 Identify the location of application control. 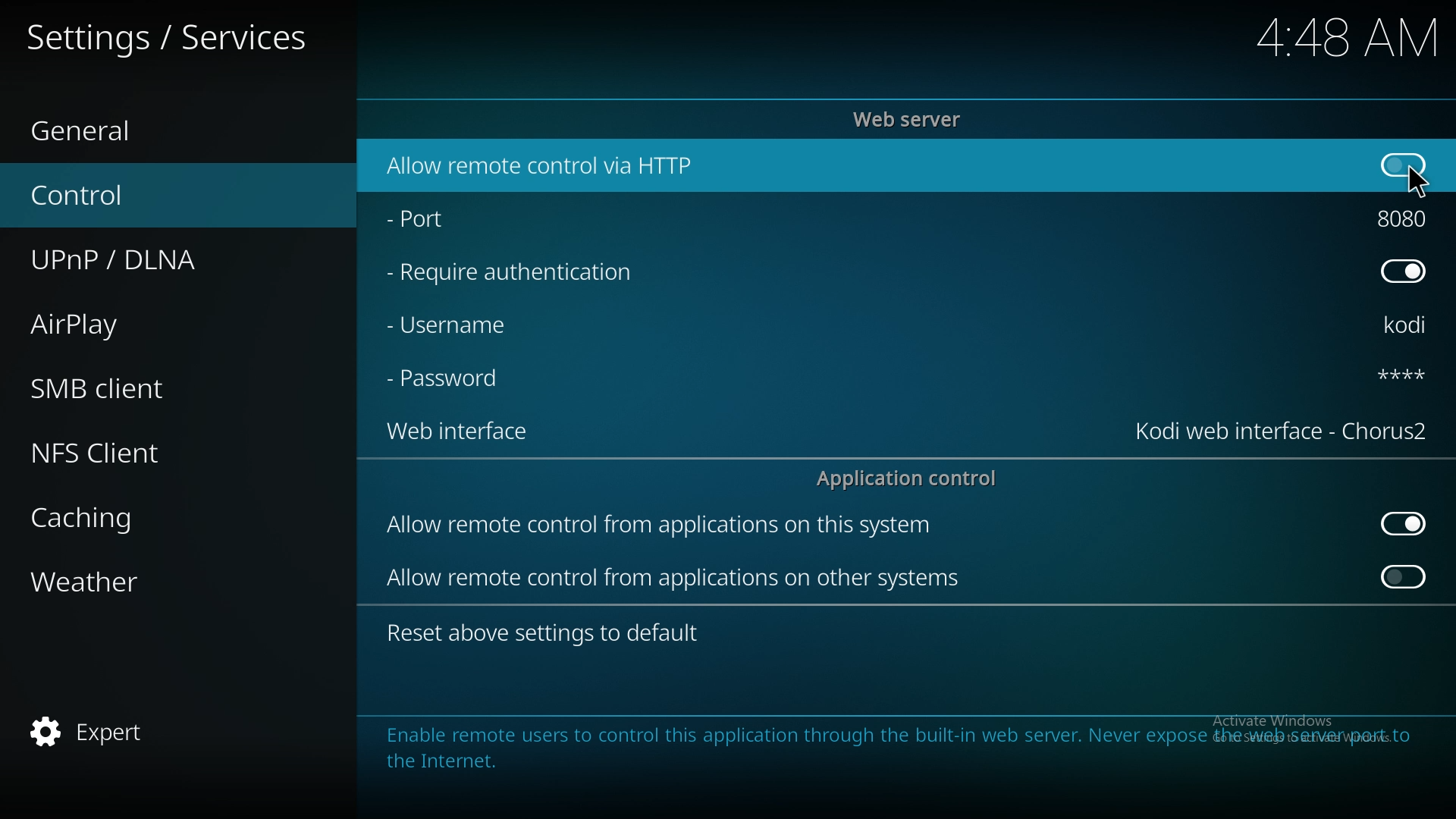
(912, 479).